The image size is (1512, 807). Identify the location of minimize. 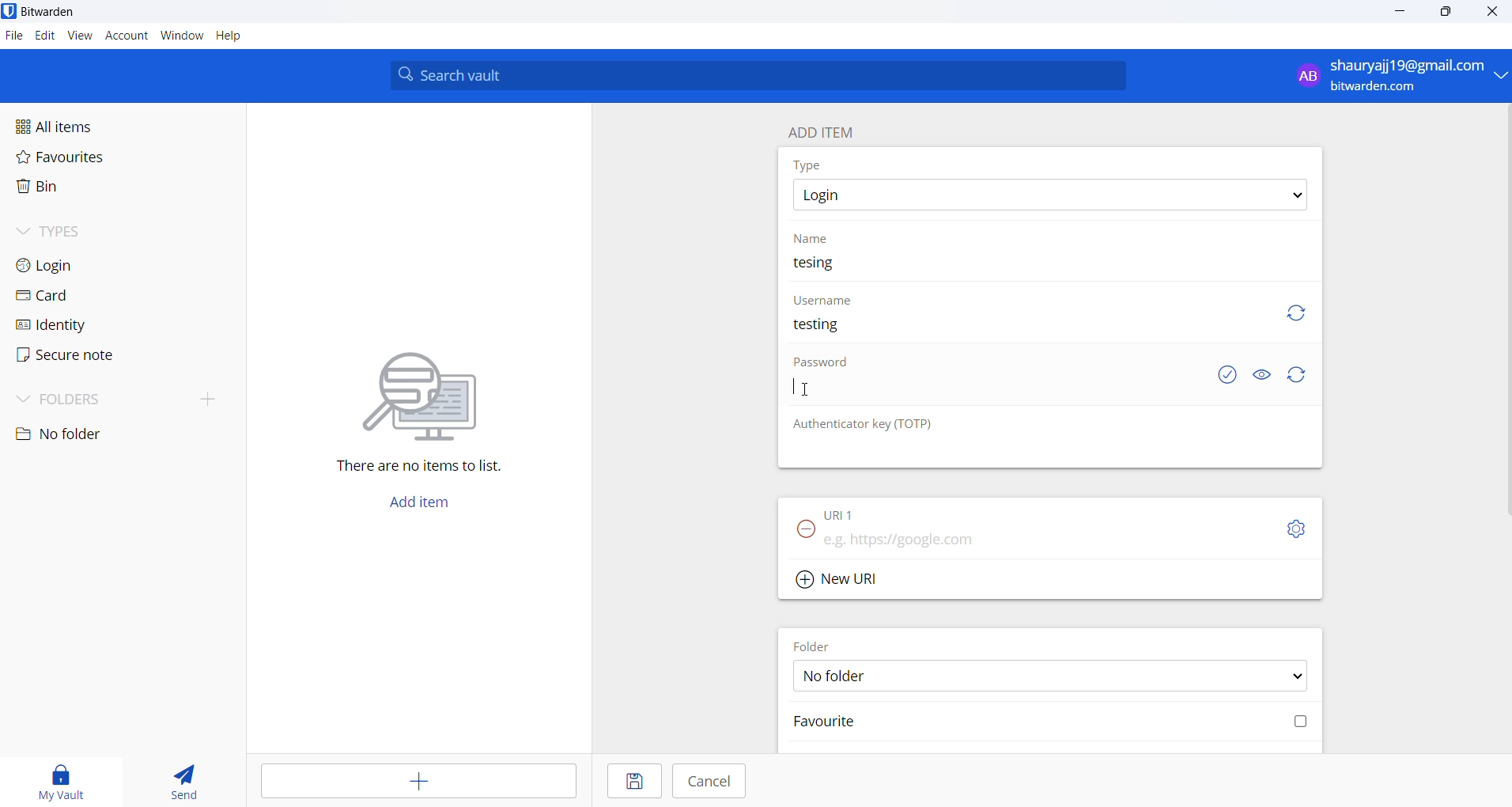
(1402, 13).